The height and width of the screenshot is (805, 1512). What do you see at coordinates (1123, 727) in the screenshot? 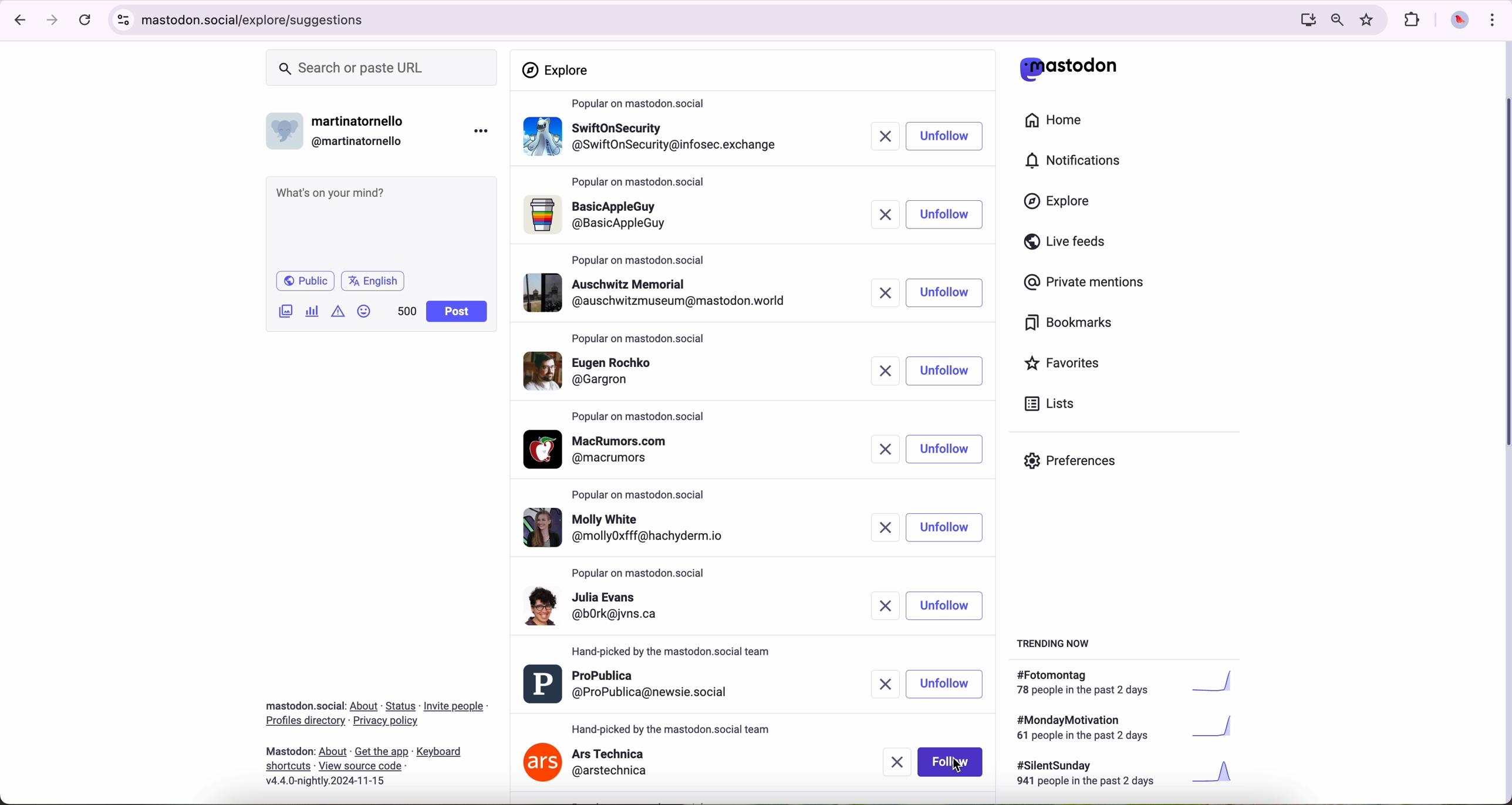
I see `#mondaymotivation` at bounding box center [1123, 727].